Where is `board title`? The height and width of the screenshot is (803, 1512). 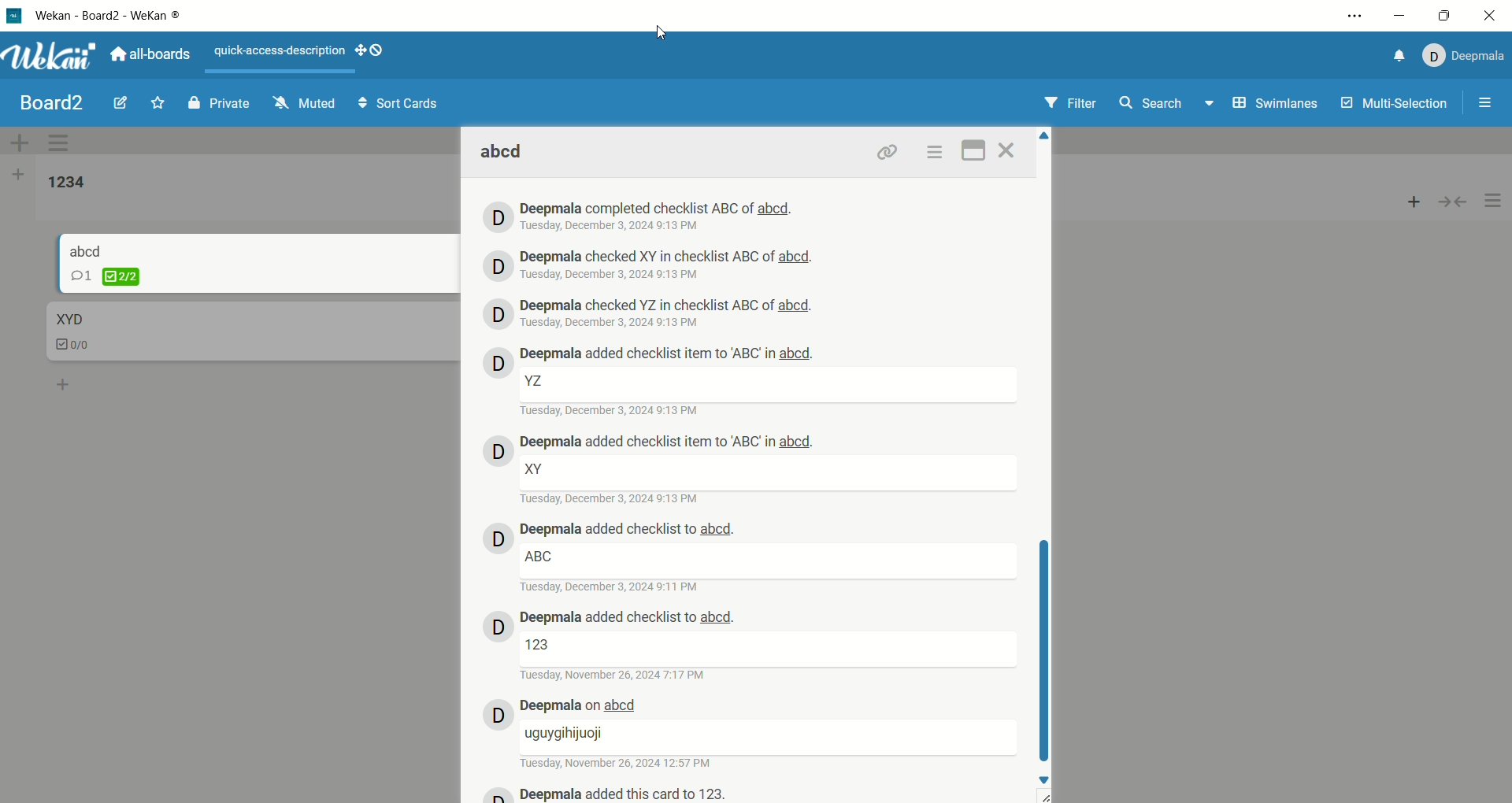 board title is located at coordinates (54, 103).